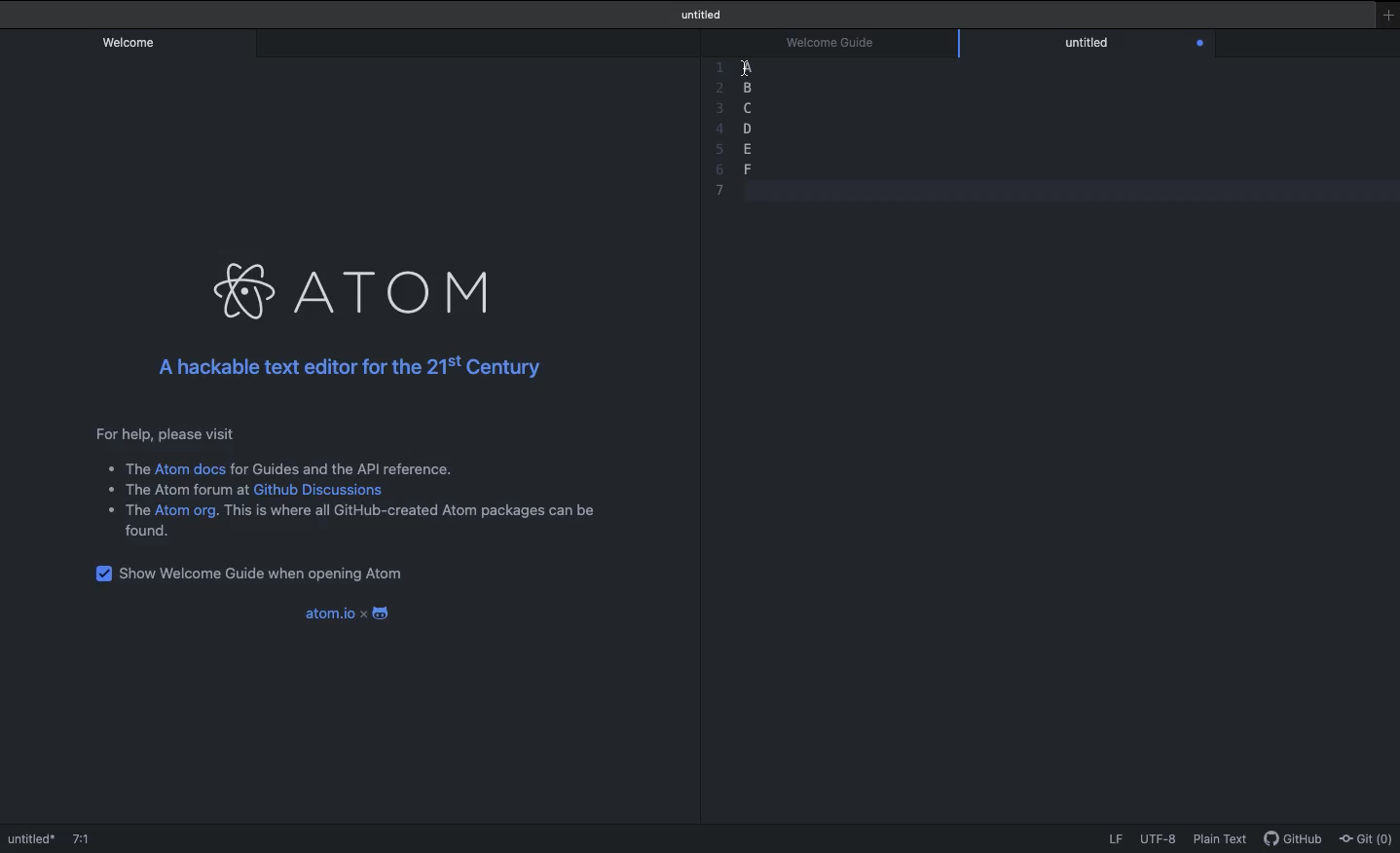  I want to click on Plain text, so click(1220, 840).